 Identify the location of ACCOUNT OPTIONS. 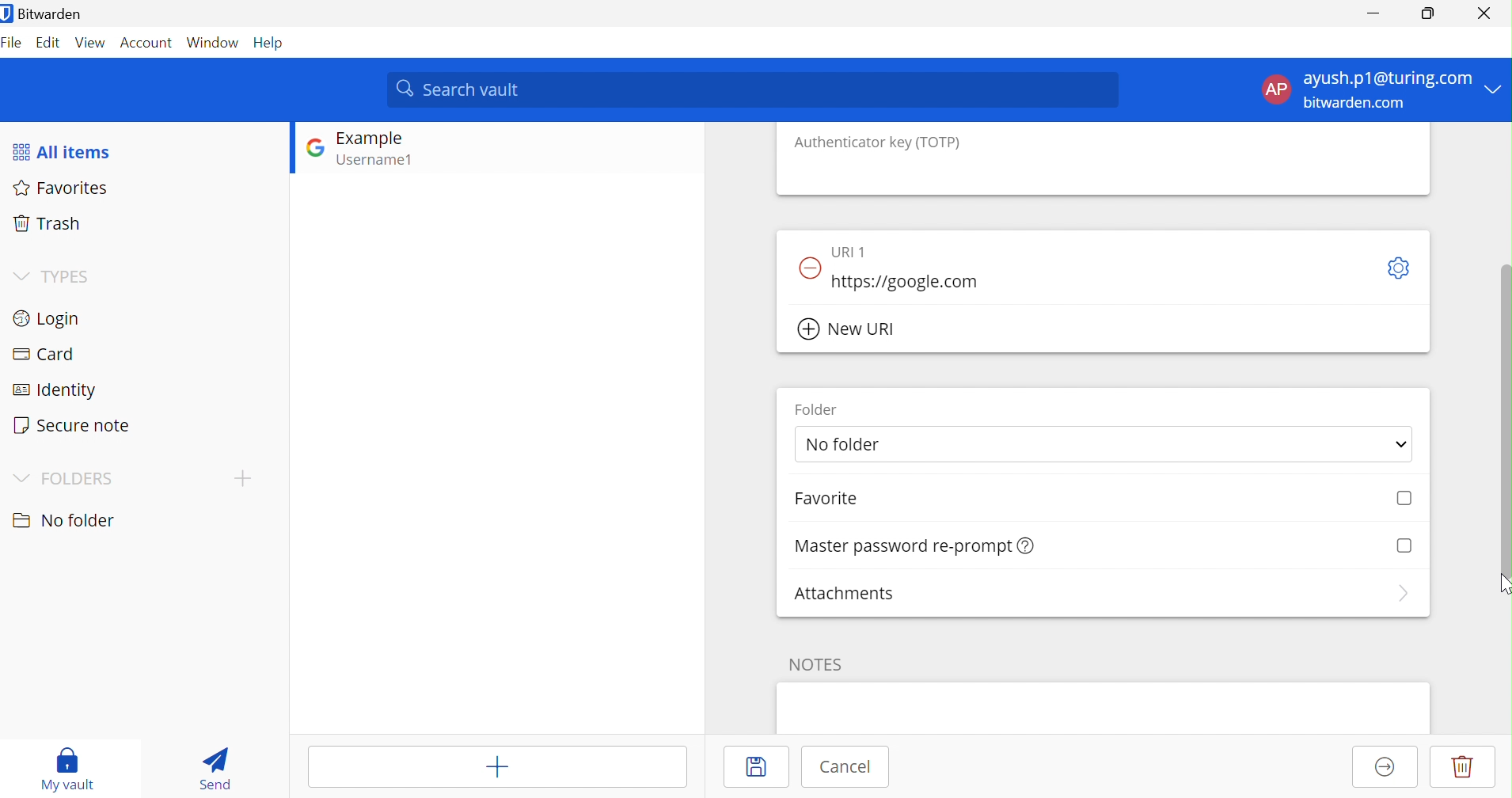
(1369, 90).